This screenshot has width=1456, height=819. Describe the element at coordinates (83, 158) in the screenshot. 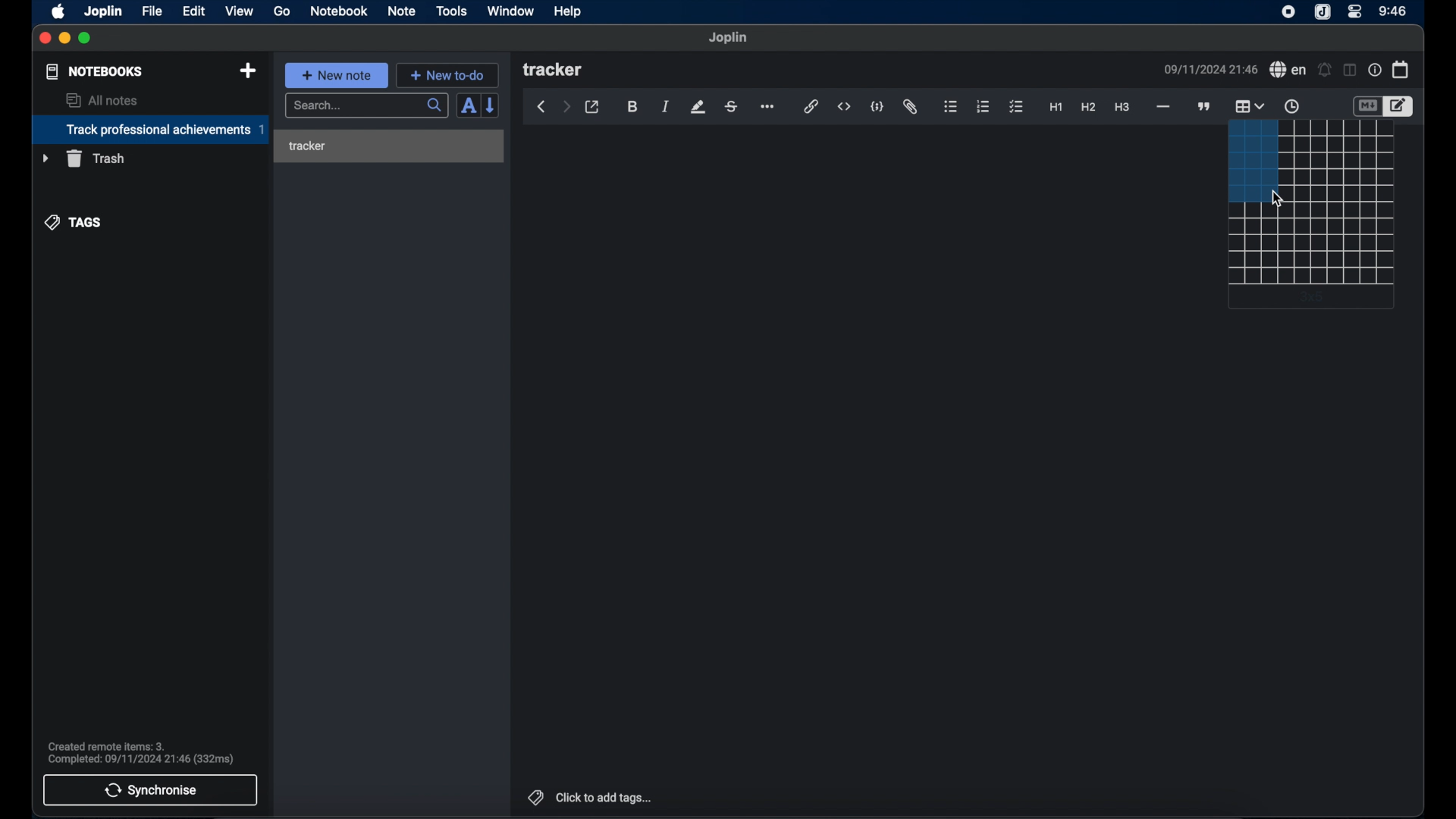

I see `trash` at that location.